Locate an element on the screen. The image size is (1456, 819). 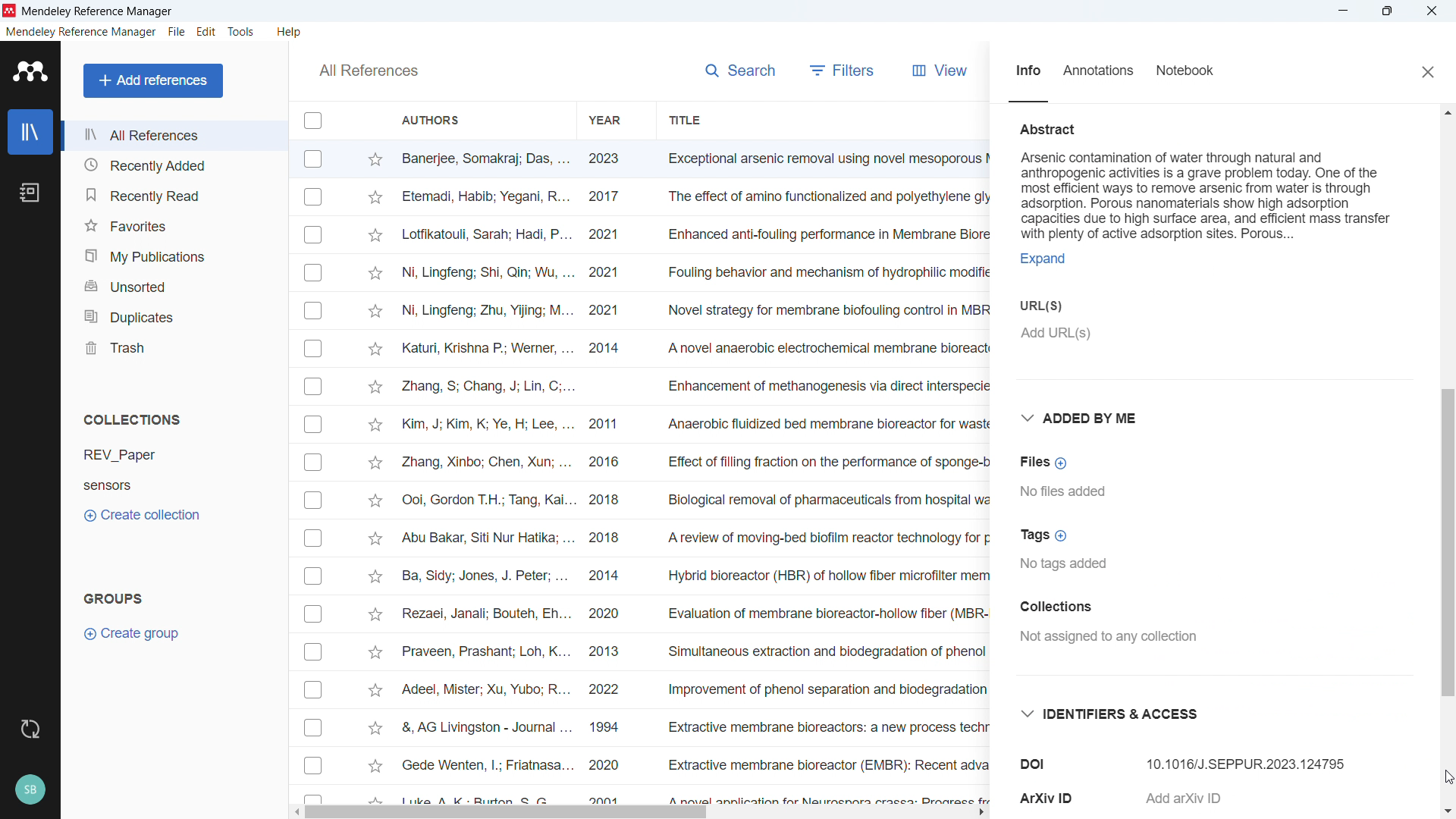
Horizontal scroll bar  is located at coordinates (504, 813).